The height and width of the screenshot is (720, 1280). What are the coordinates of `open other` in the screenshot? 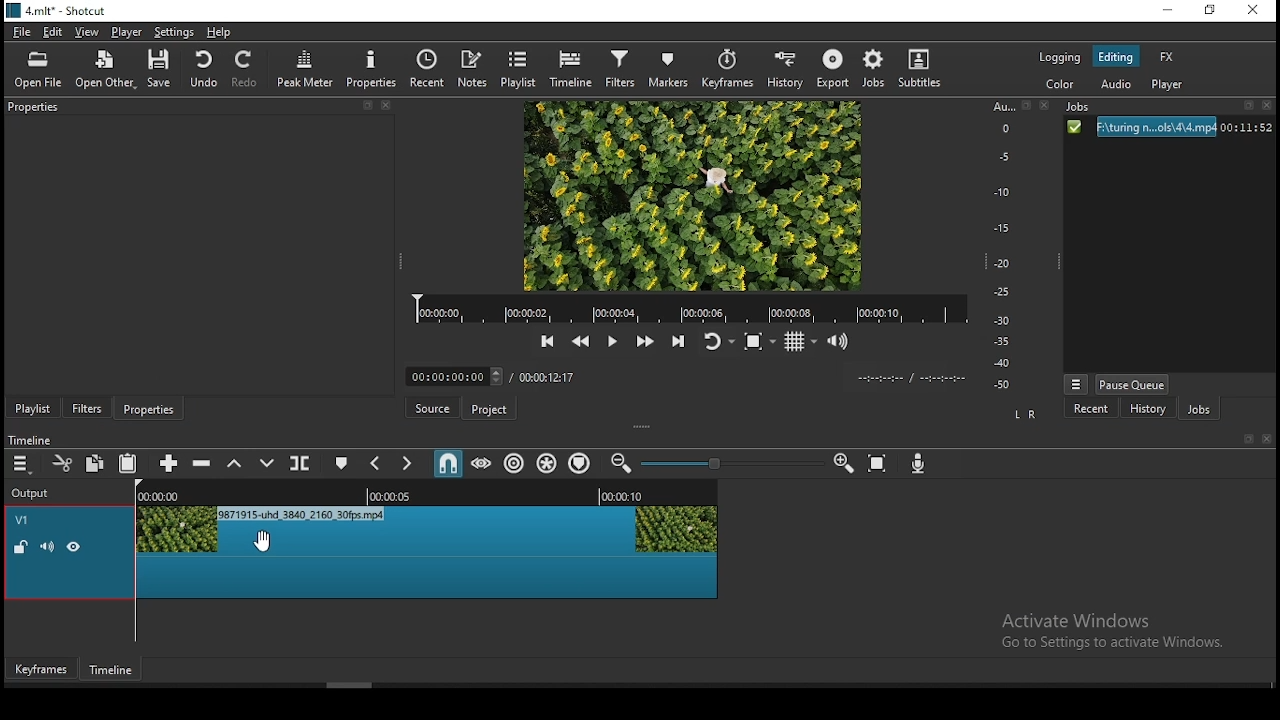 It's located at (105, 72).